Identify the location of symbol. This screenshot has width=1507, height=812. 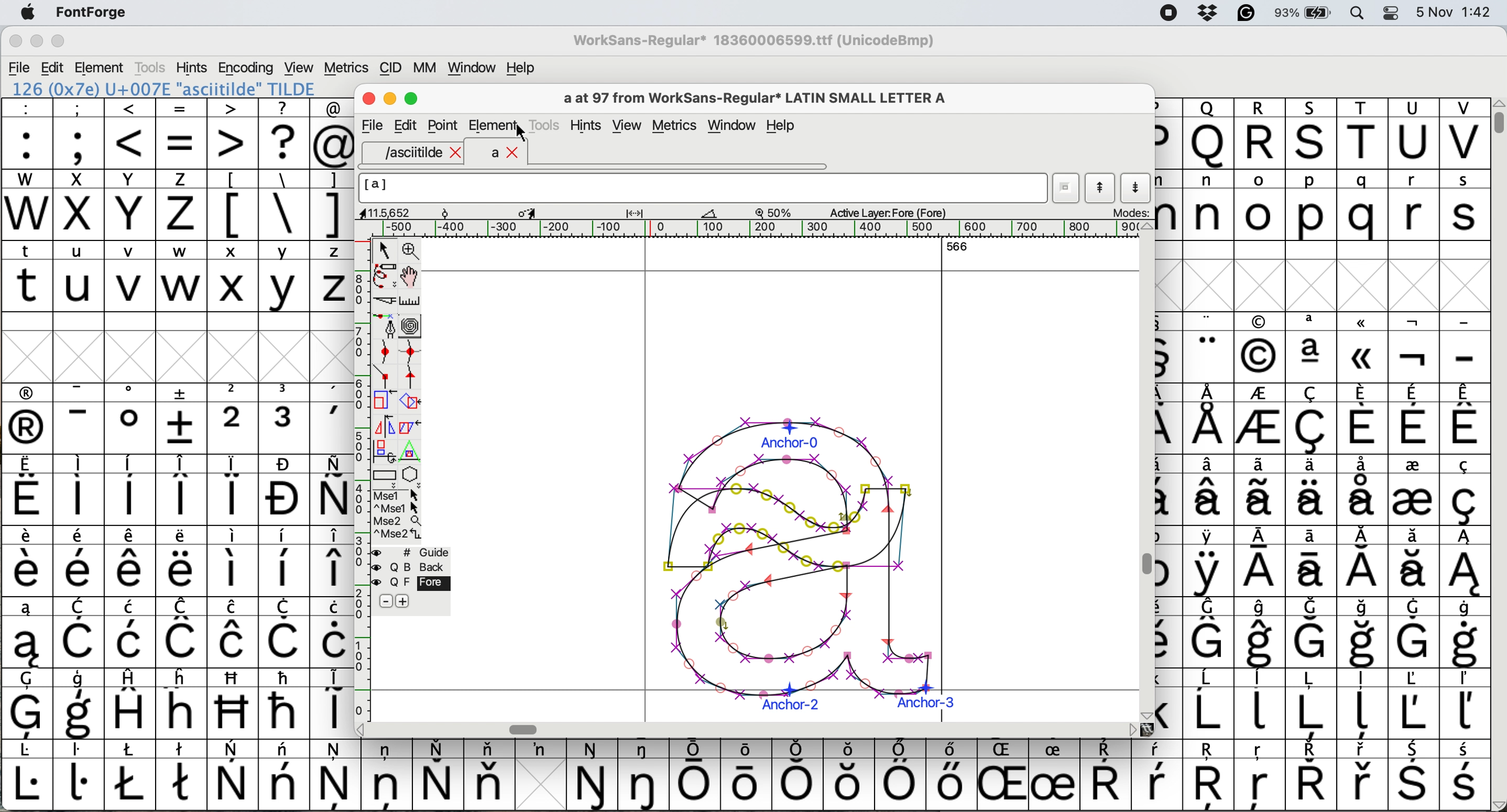
(130, 775).